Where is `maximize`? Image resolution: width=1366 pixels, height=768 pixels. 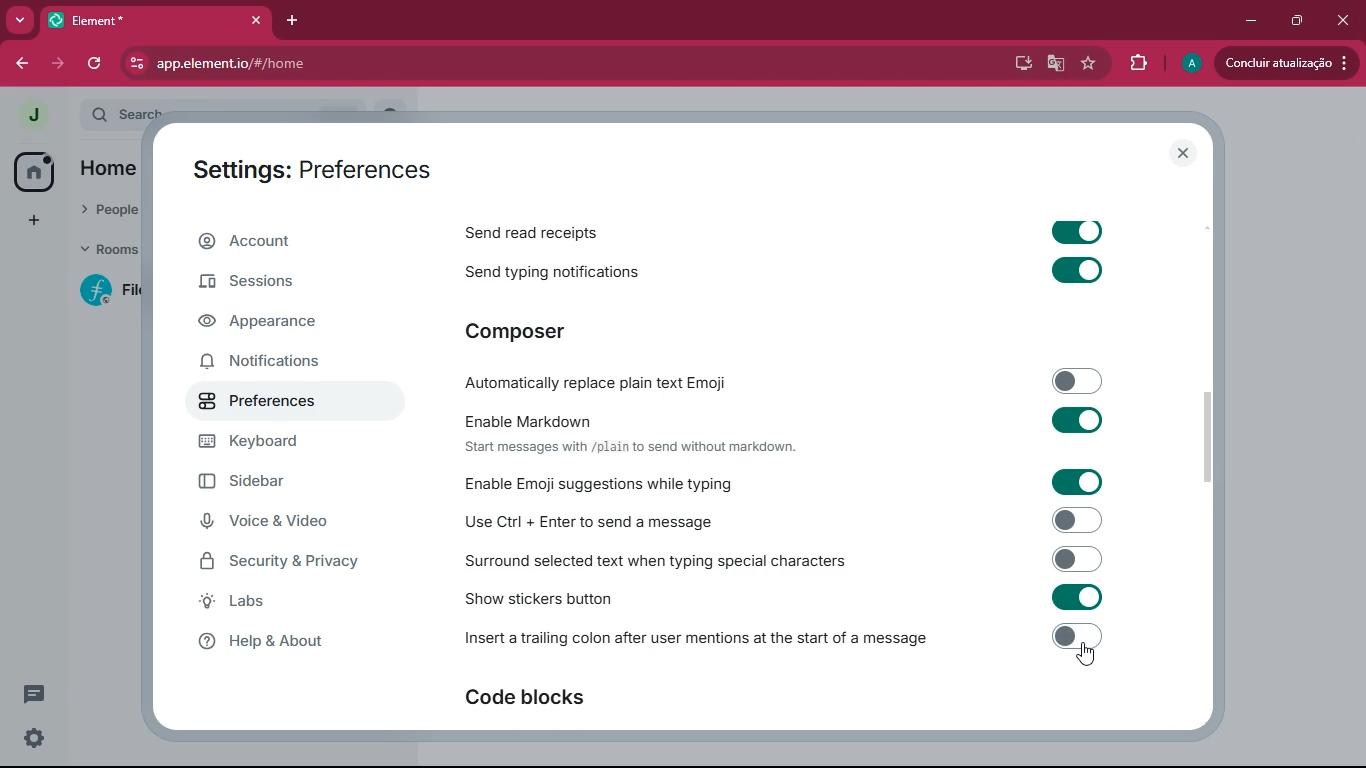
maximize is located at coordinates (1299, 22).